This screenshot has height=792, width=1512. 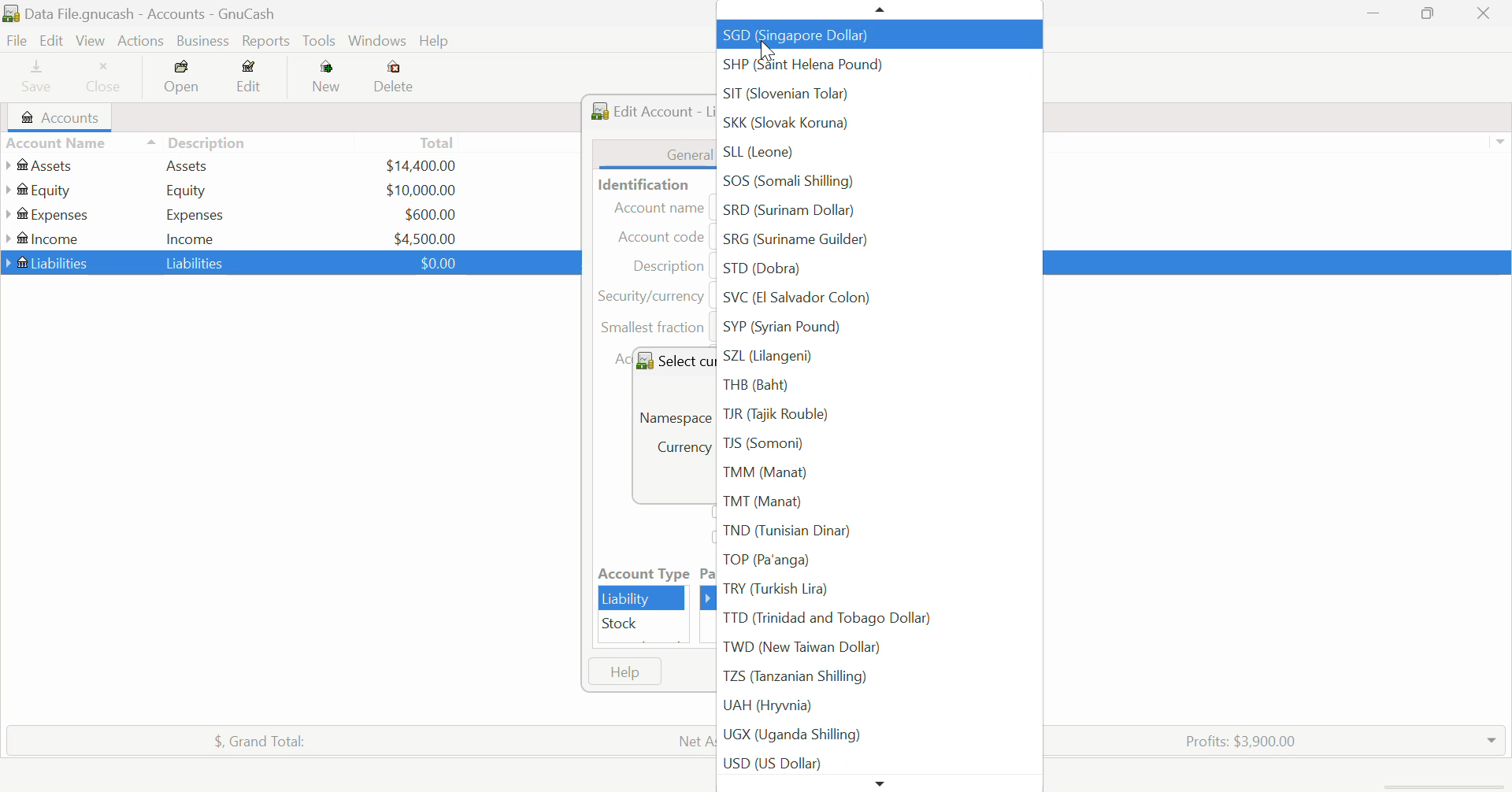 What do you see at coordinates (1374, 15) in the screenshot?
I see `Restore Down` at bounding box center [1374, 15].